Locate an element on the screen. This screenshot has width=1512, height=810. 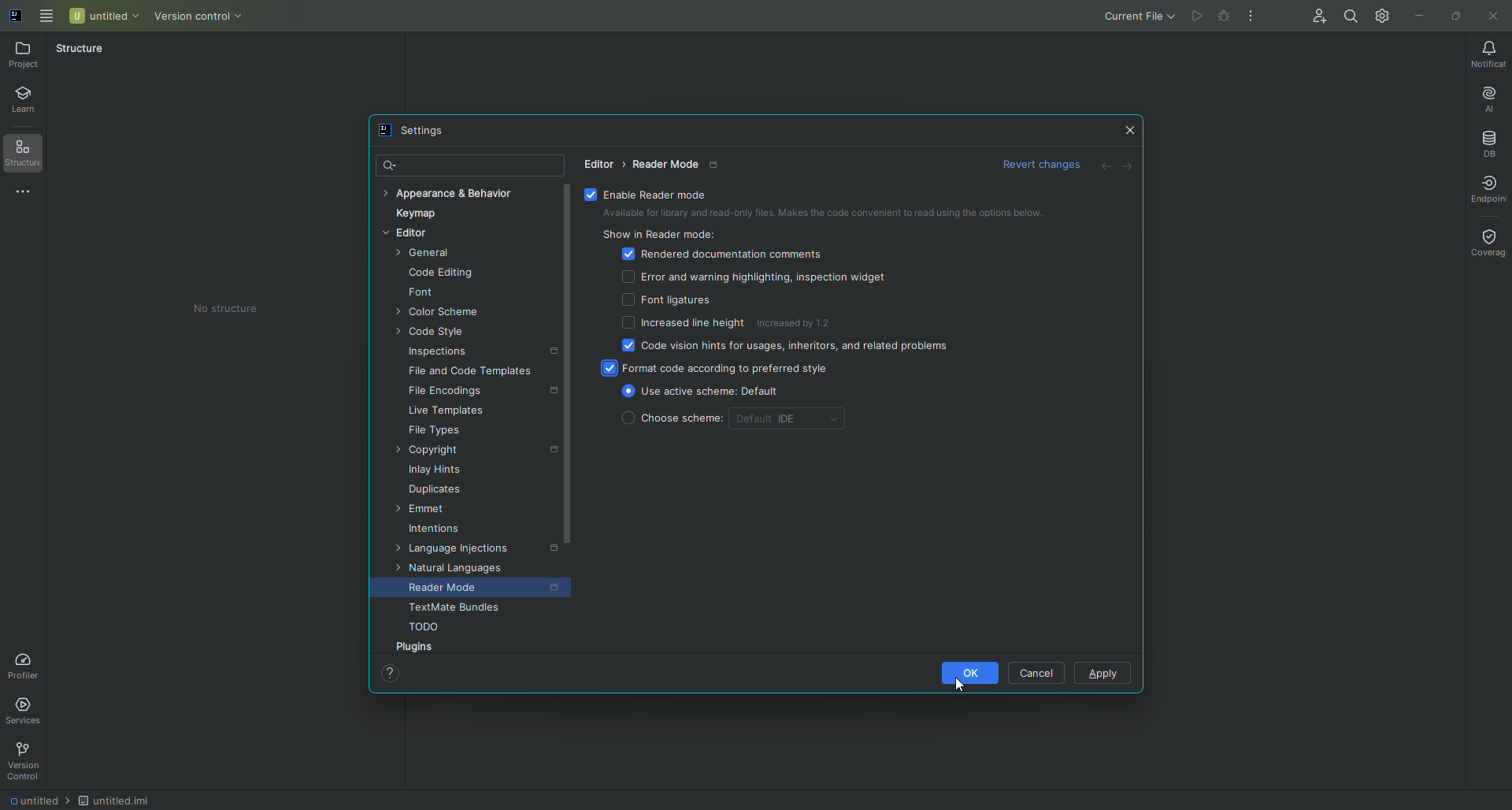
More Tools is located at coordinates (28, 195).